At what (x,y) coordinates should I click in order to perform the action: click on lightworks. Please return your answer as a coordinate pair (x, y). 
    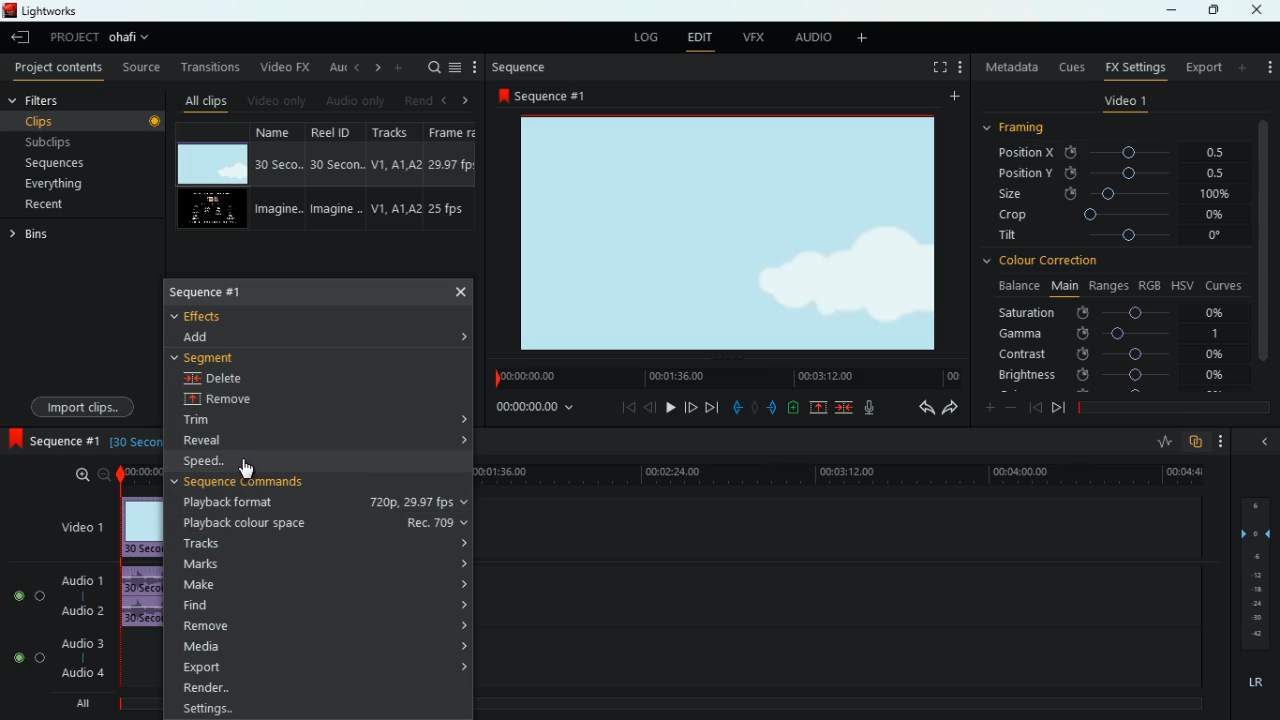
    Looking at the image, I should click on (65, 10).